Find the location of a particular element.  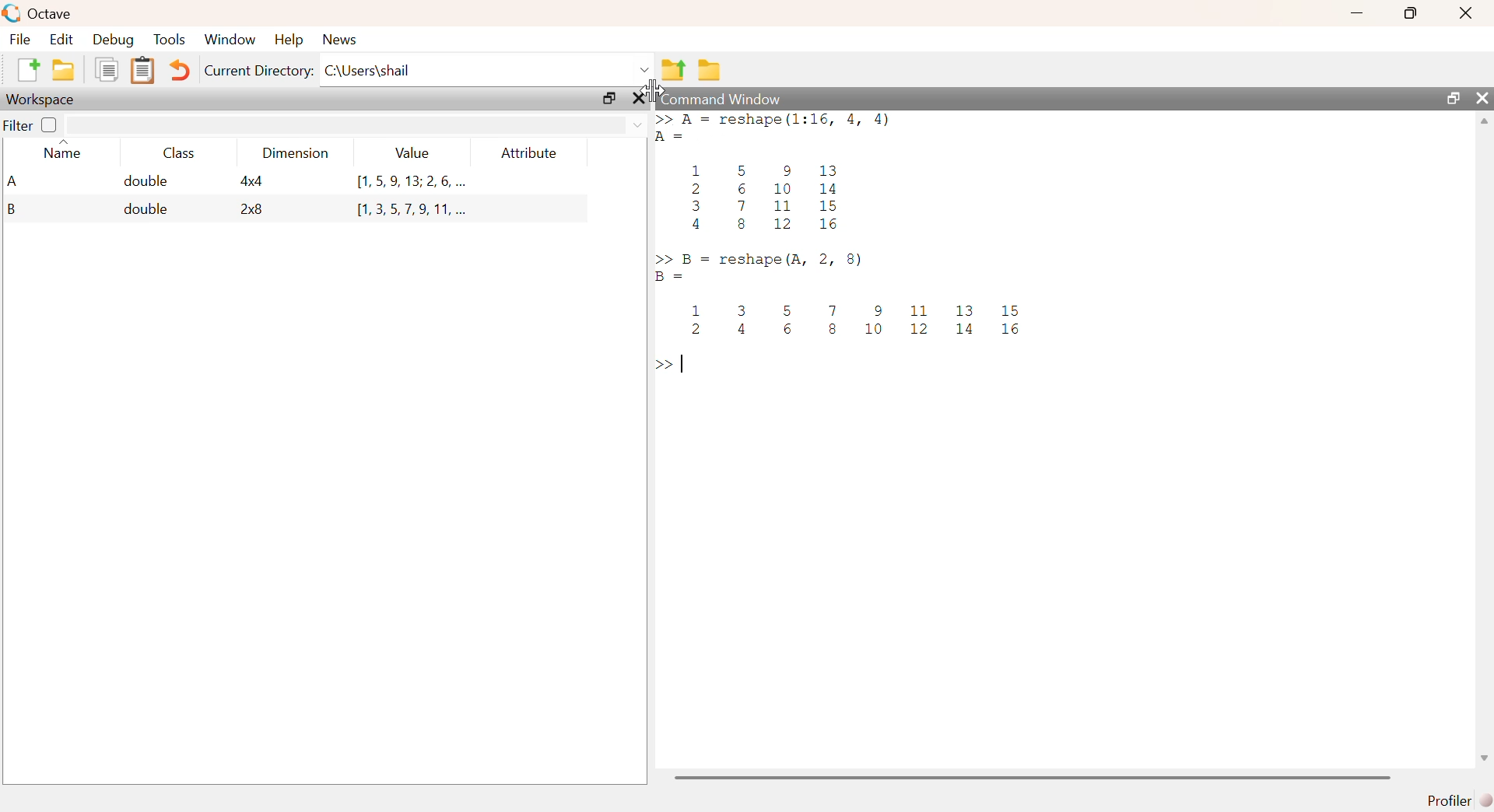

close is located at coordinates (641, 99).